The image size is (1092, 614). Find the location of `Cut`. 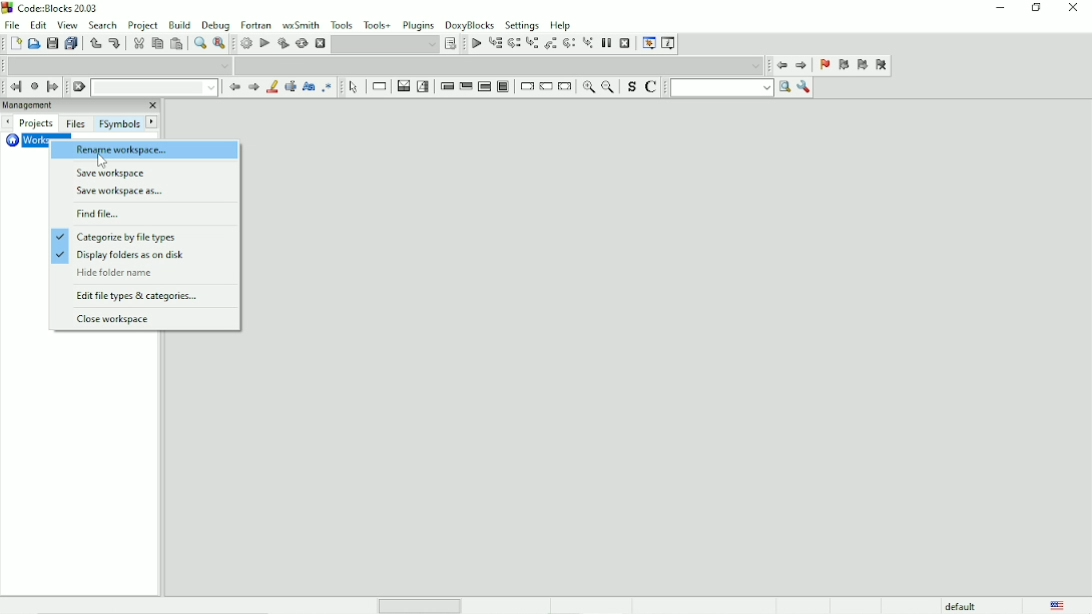

Cut is located at coordinates (138, 43).